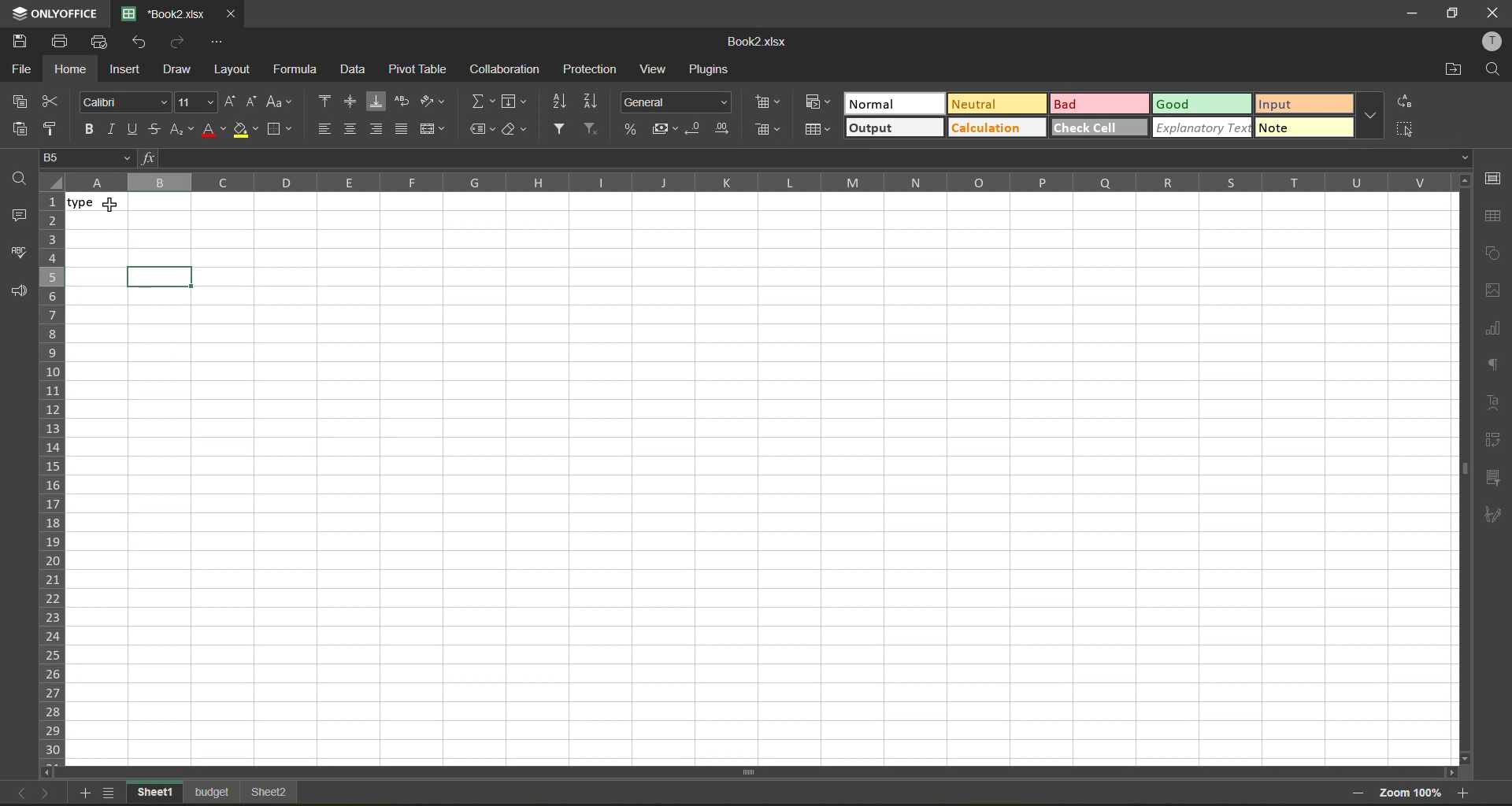 The height and width of the screenshot is (806, 1512). Describe the element at coordinates (213, 128) in the screenshot. I see `font color` at that location.